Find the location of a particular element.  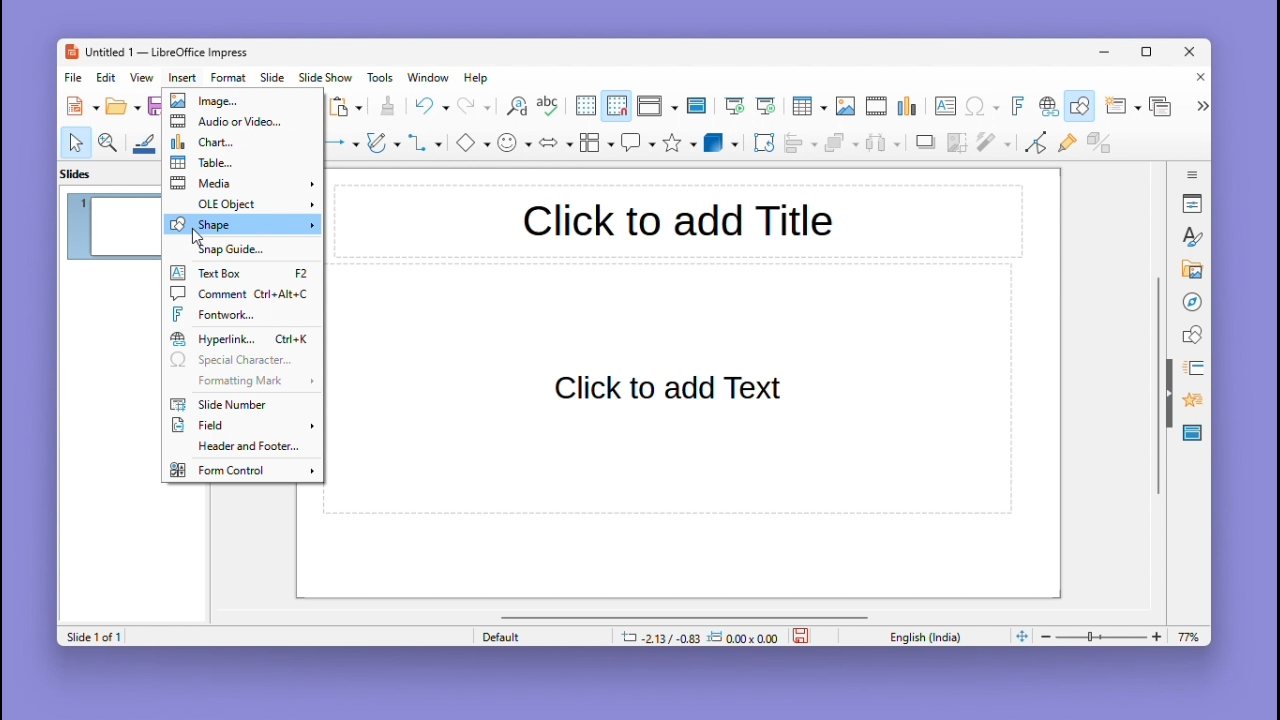

Connectors is located at coordinates (425, 142).